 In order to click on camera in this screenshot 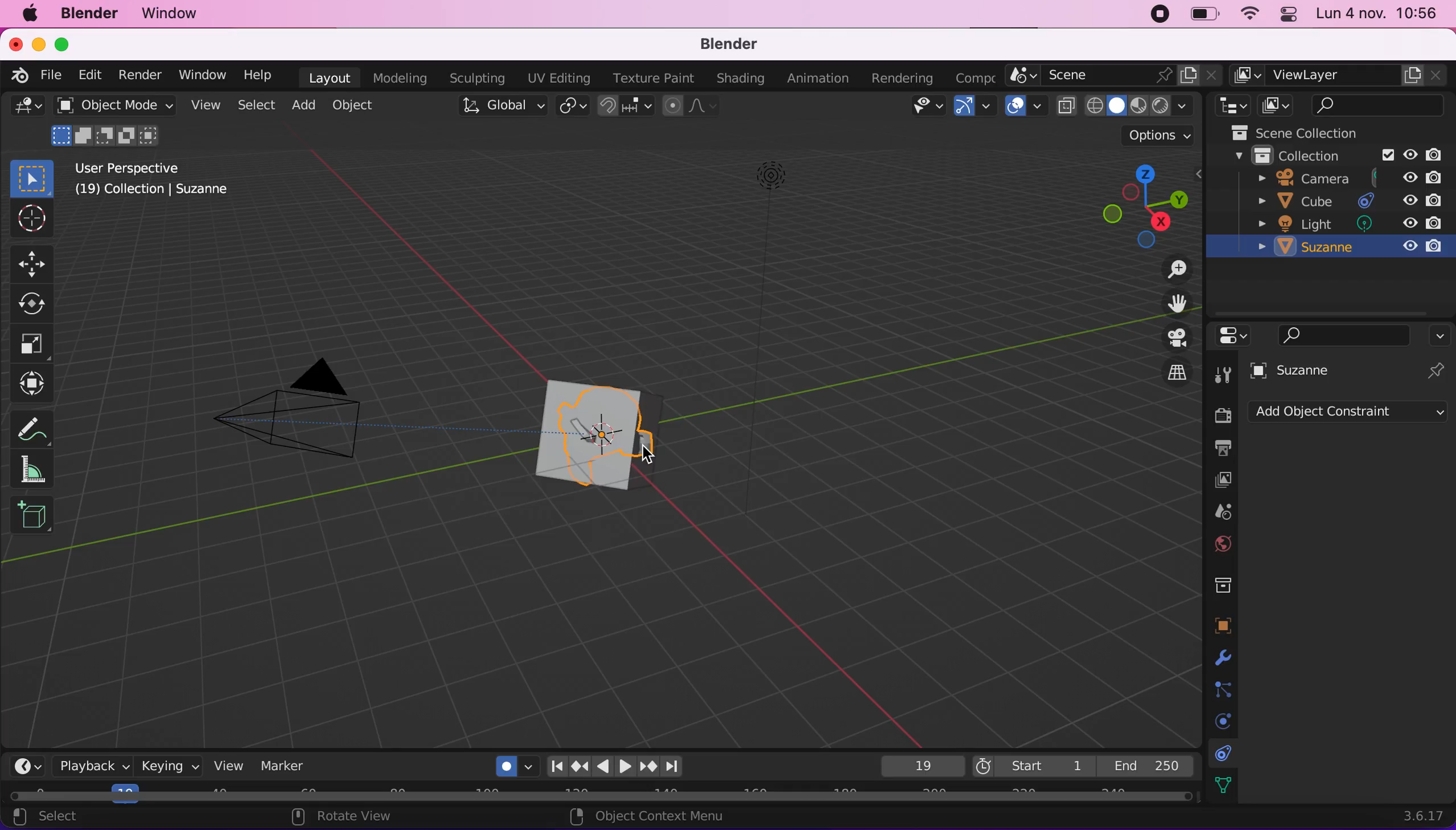, I will do `click(295, 424)`.